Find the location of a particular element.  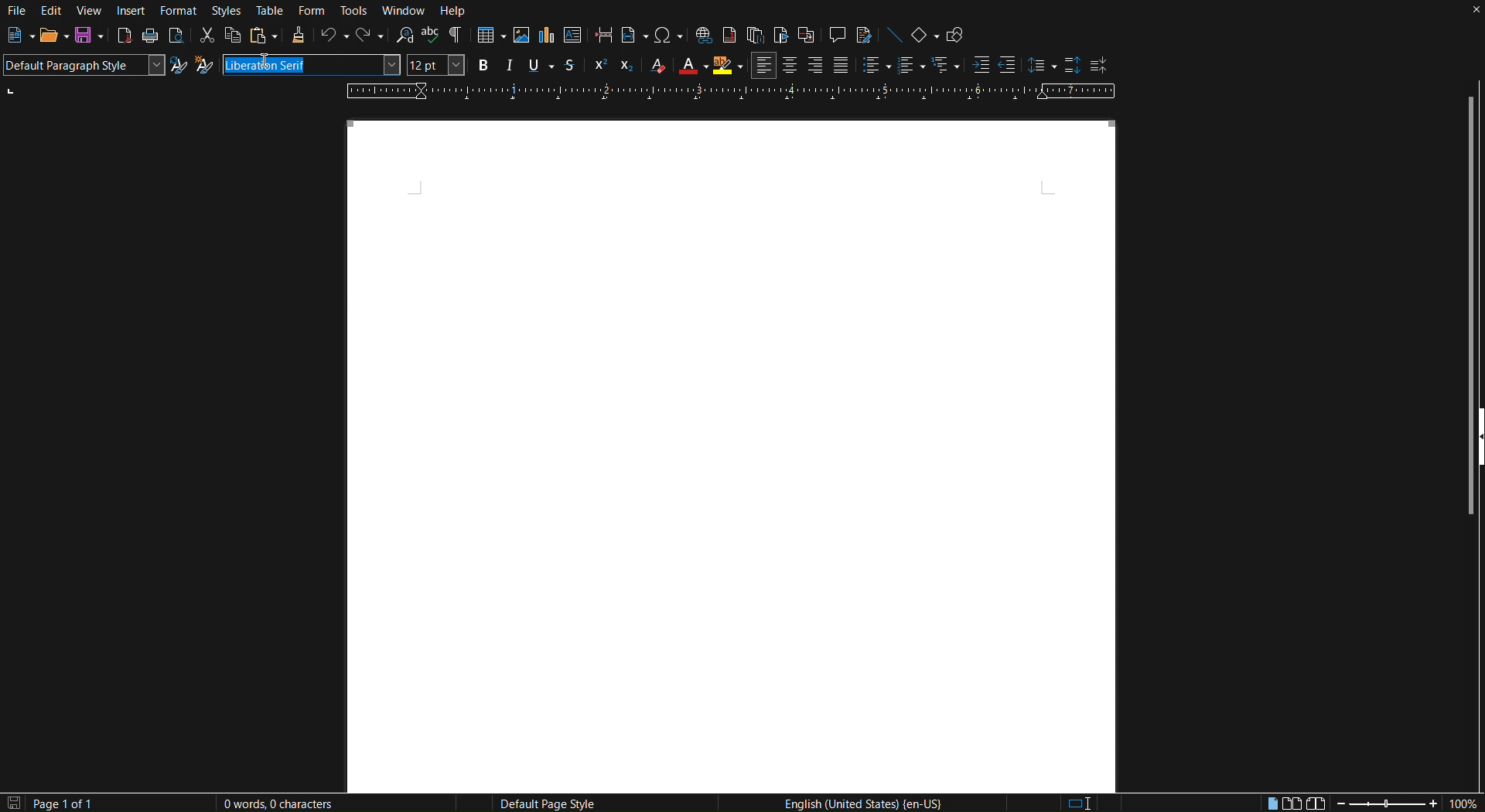

Copy is located at coordinates (232, 37).